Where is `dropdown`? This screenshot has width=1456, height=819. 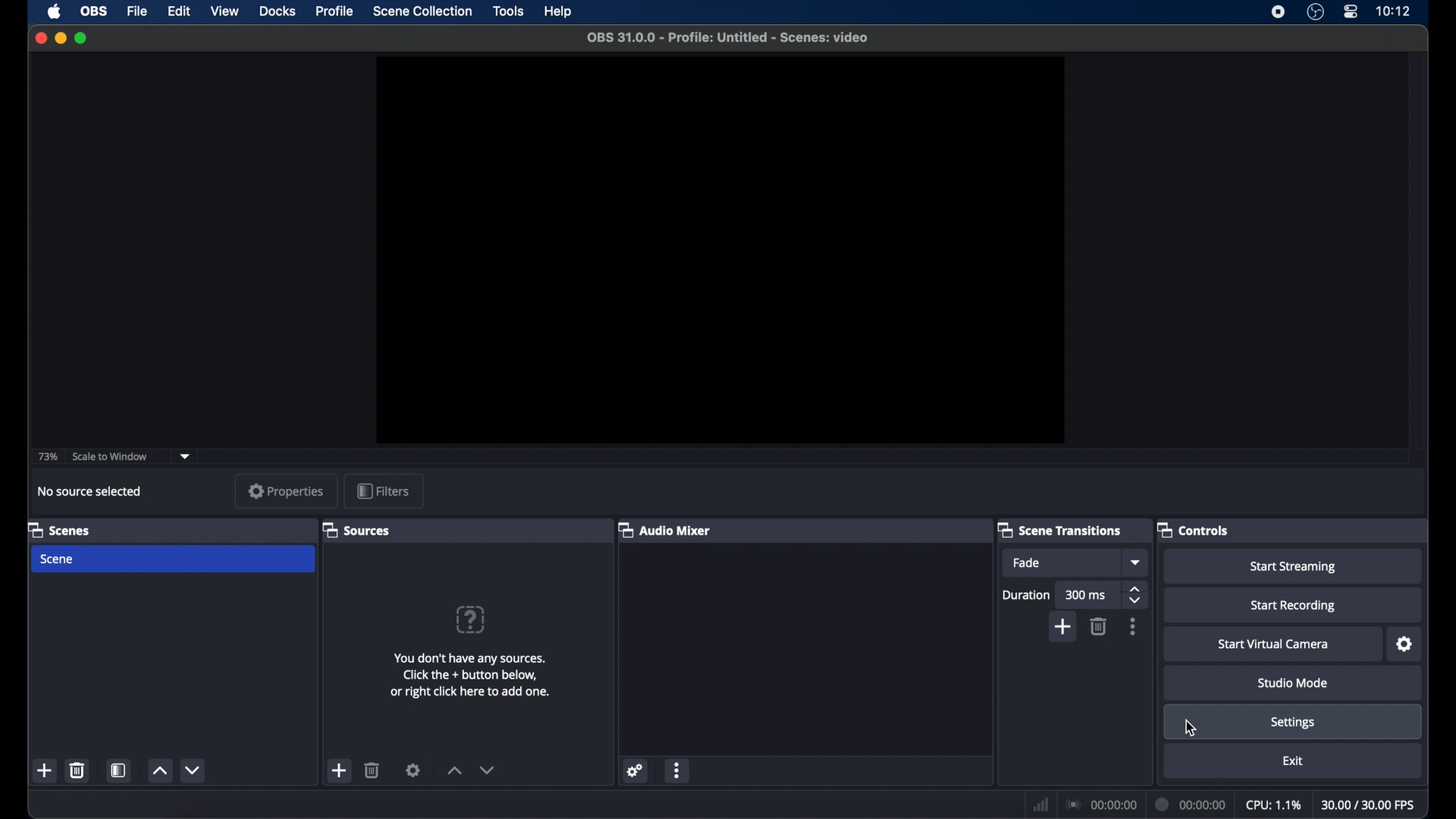
dropdown is located at coordinates (1134, 563).